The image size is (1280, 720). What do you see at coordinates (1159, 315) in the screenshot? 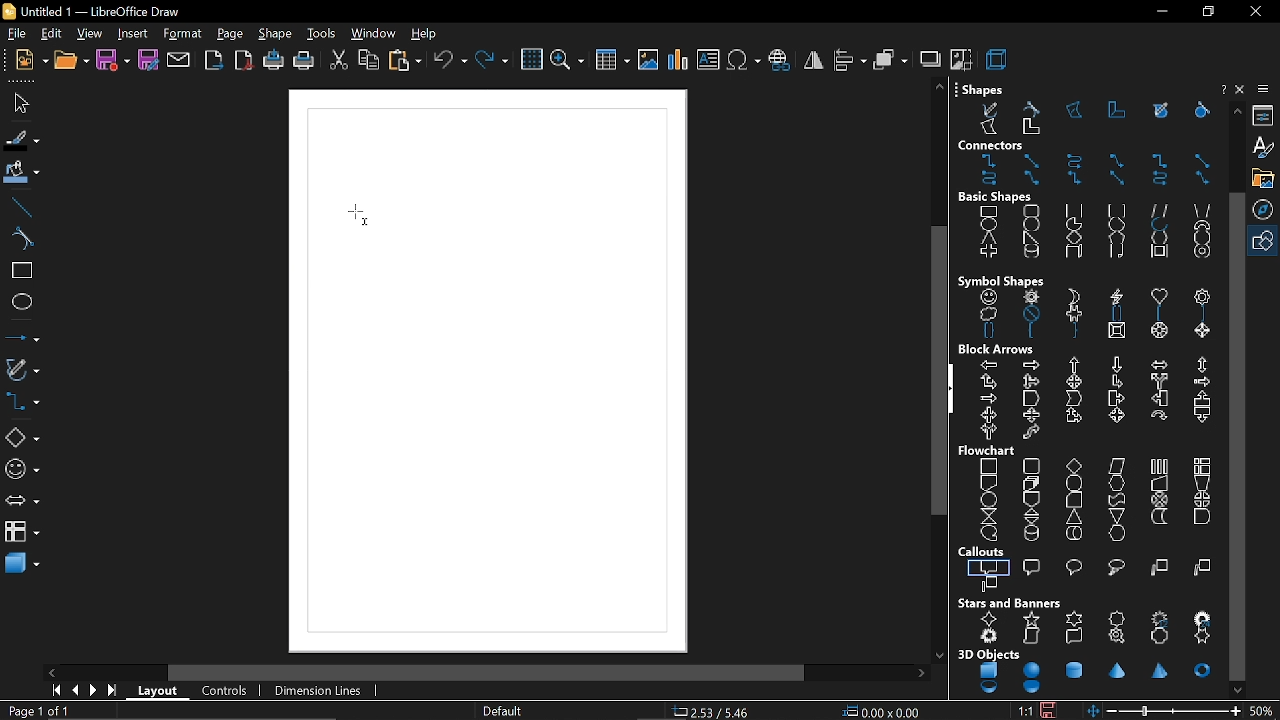
I see `left bracket` at bounding box center [1159, 315].